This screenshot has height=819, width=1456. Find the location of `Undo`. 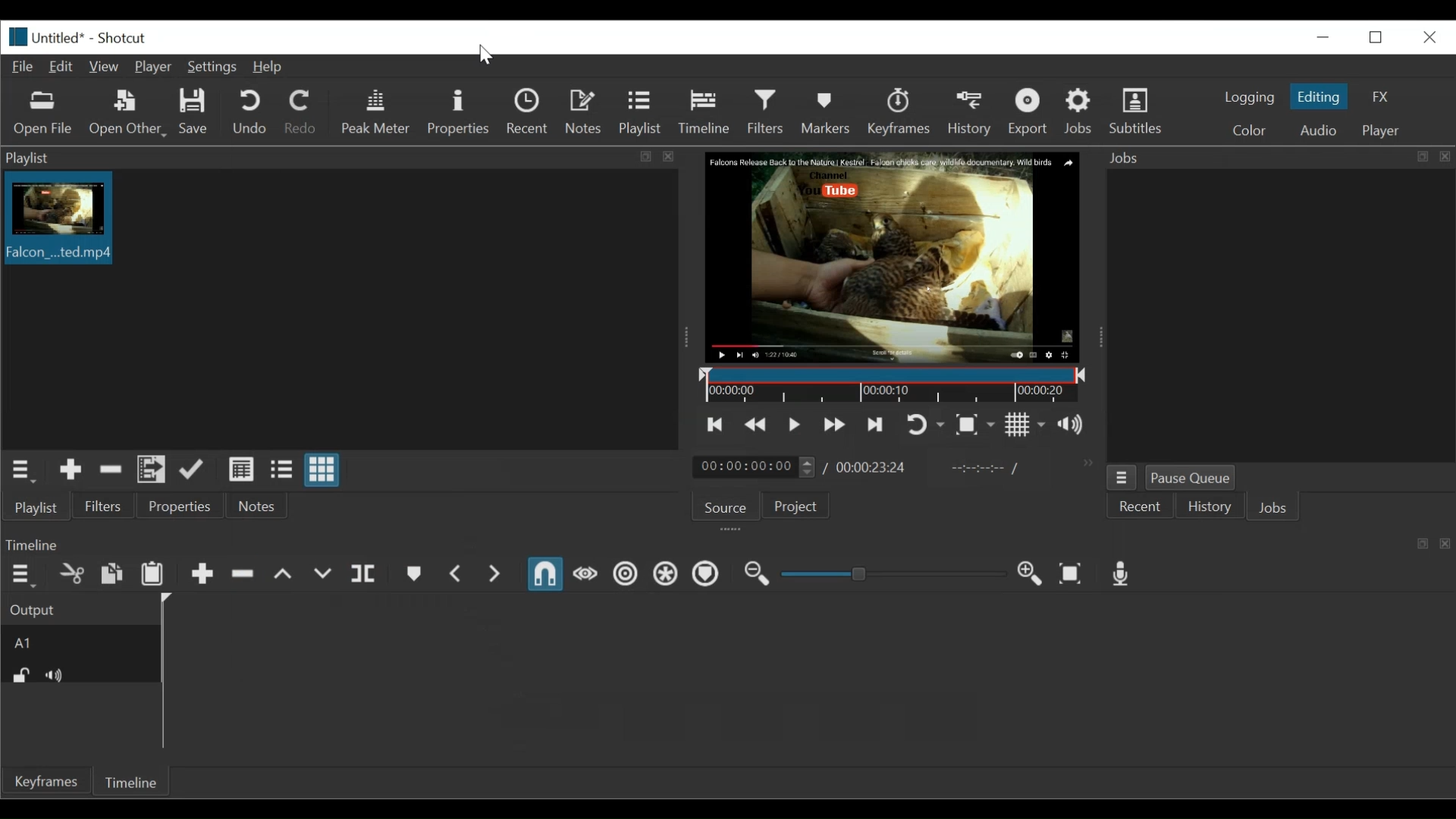

Undo is located at coordinates (248, 112).